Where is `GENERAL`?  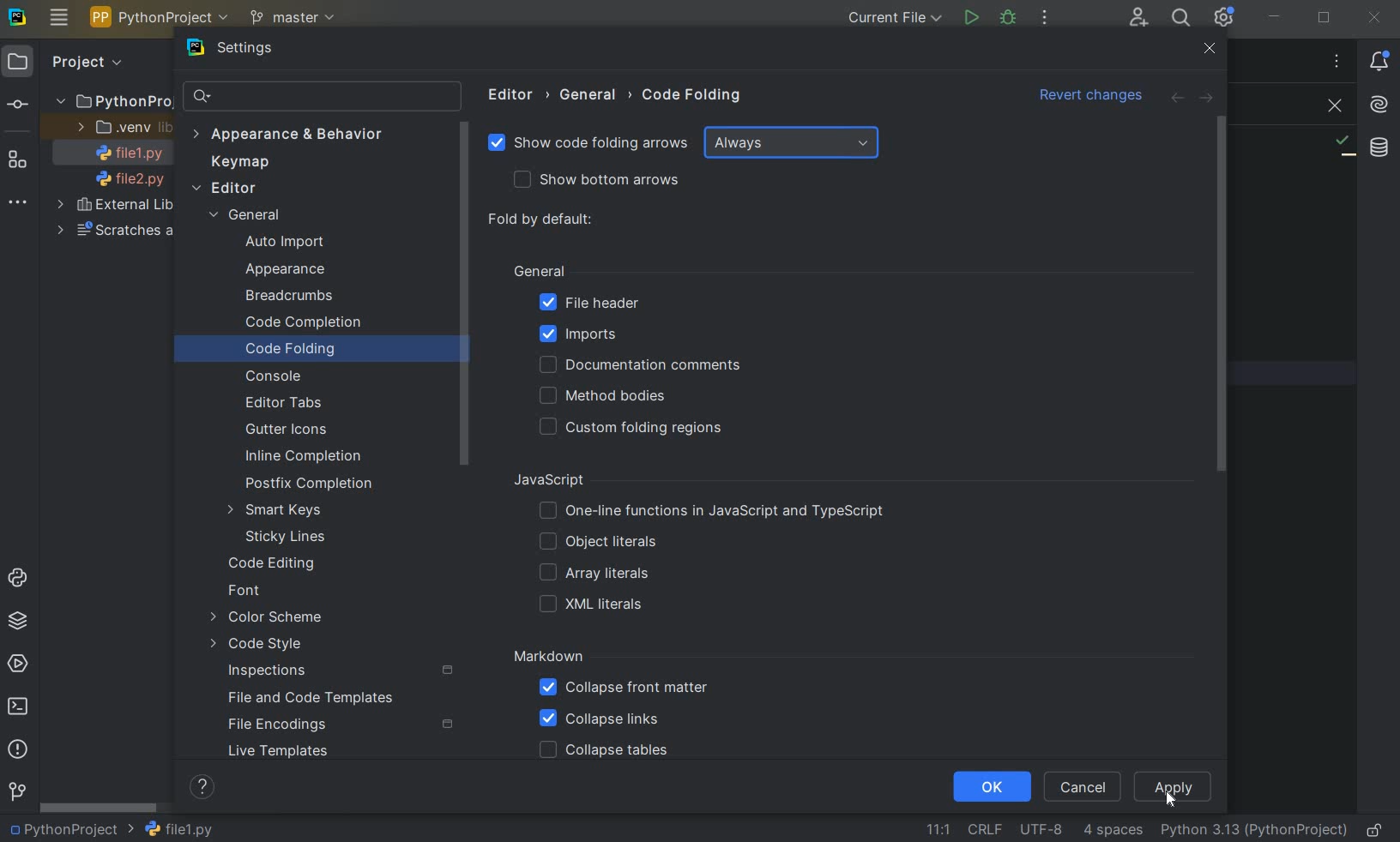
GENERAL is located at coordinates (593, 95).